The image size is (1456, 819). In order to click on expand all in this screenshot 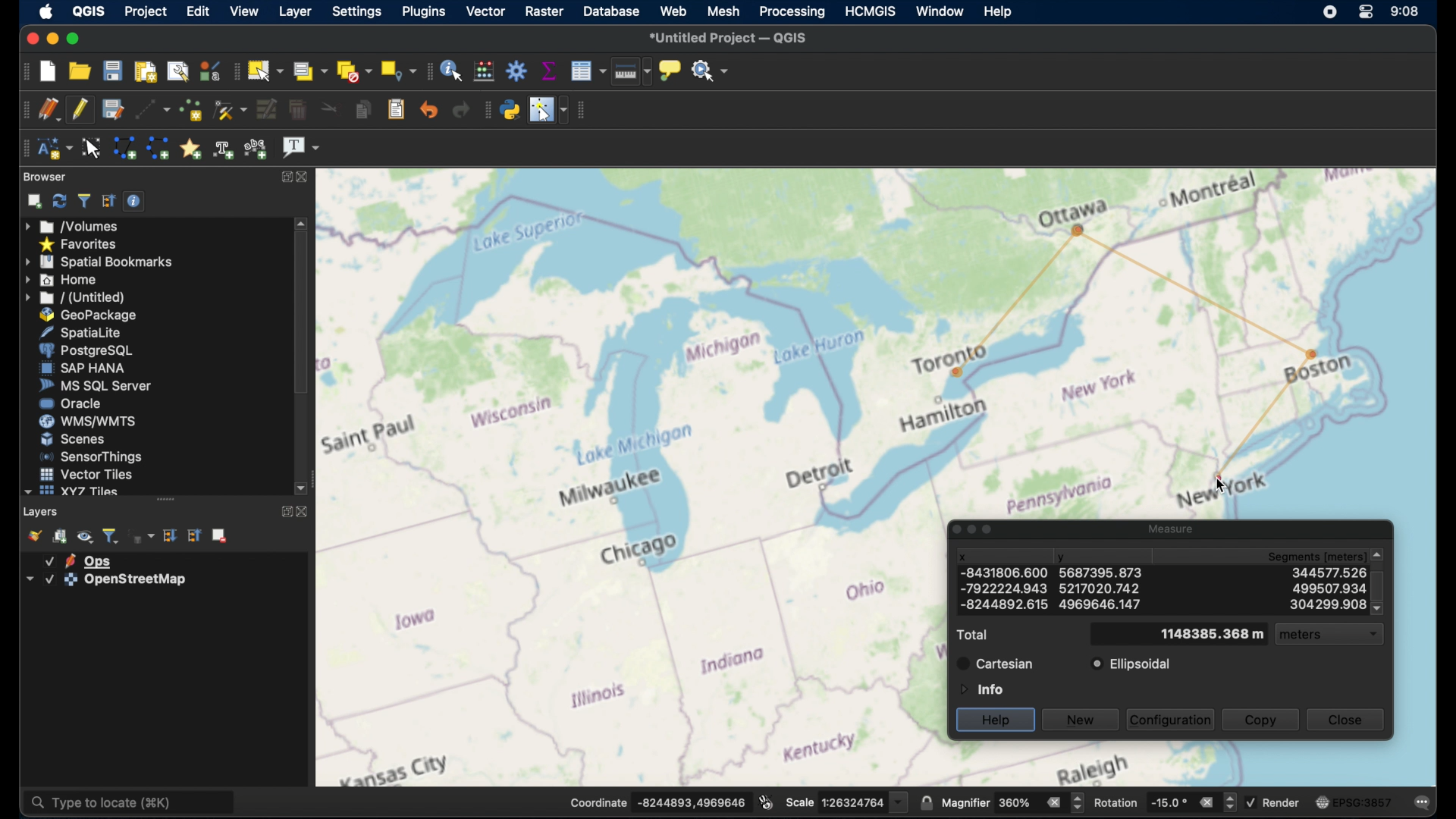, I will do `click(171, 535)`.